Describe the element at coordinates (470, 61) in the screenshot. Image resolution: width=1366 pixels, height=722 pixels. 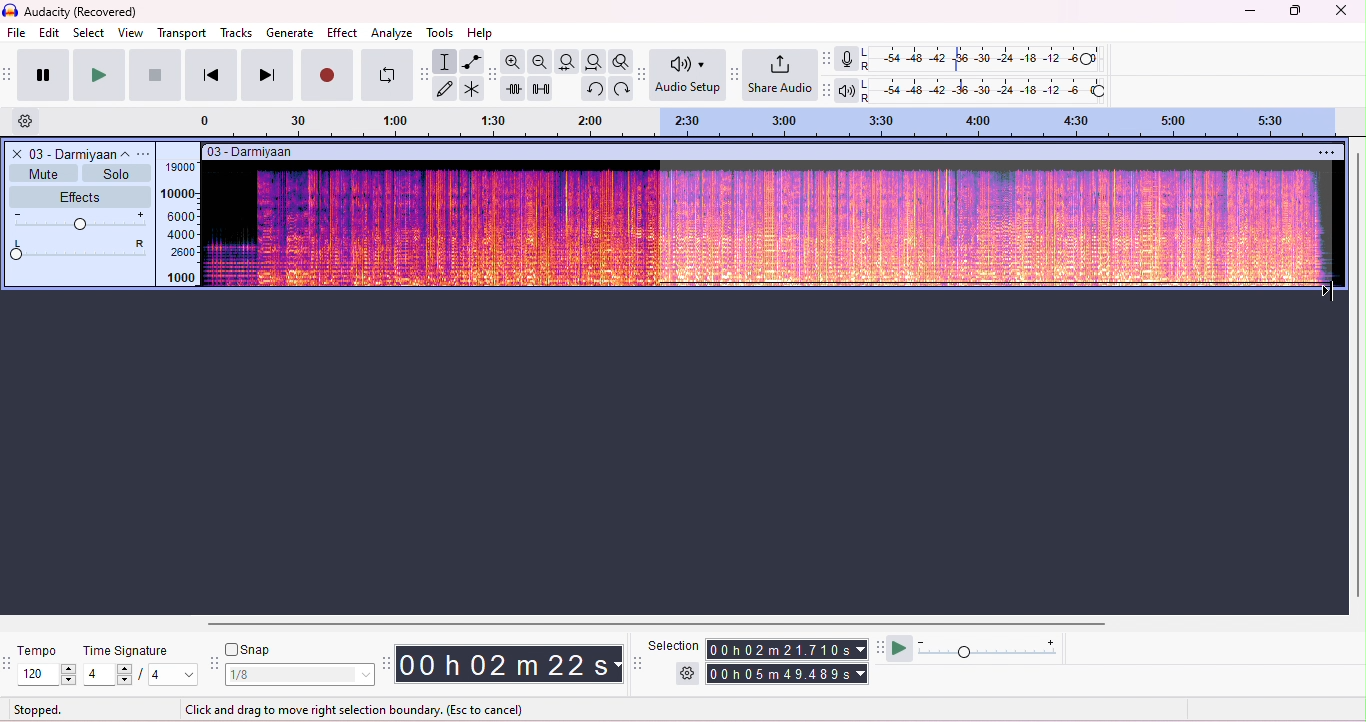
I see `envelop` at that location.